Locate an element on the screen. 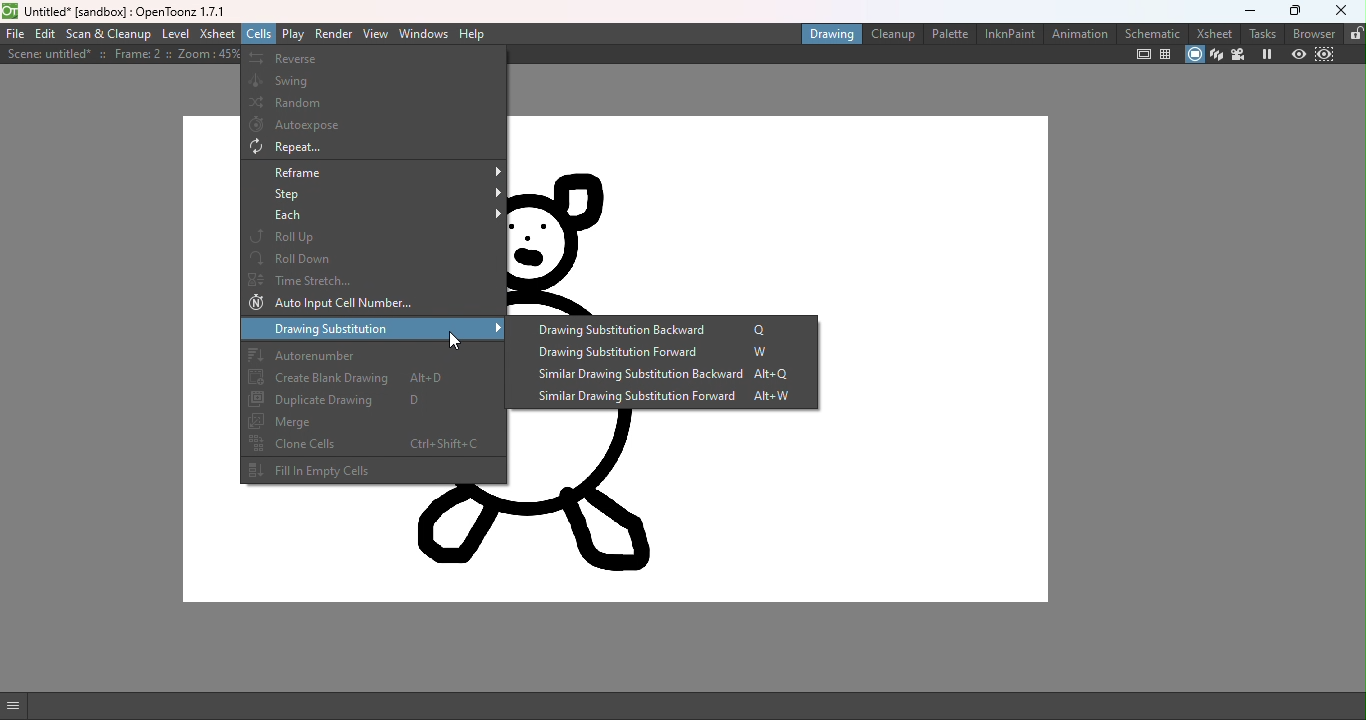 The width and height of the screenshot is (1366, 720). Autoexpose is located at coordinates (374, 126).